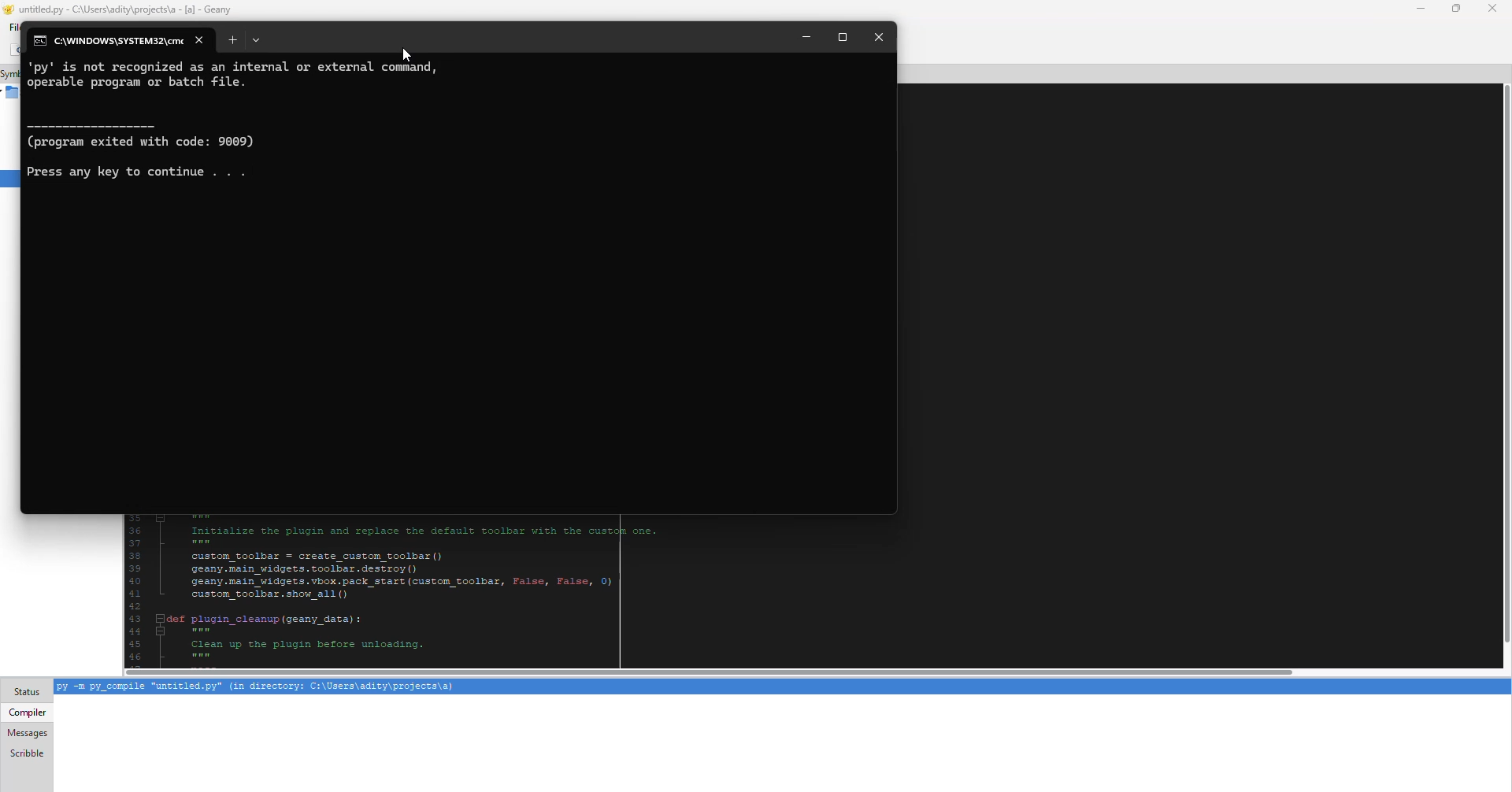  Describe the element at coordinates (232, 39) in the screenshot. I see `add` at that location.